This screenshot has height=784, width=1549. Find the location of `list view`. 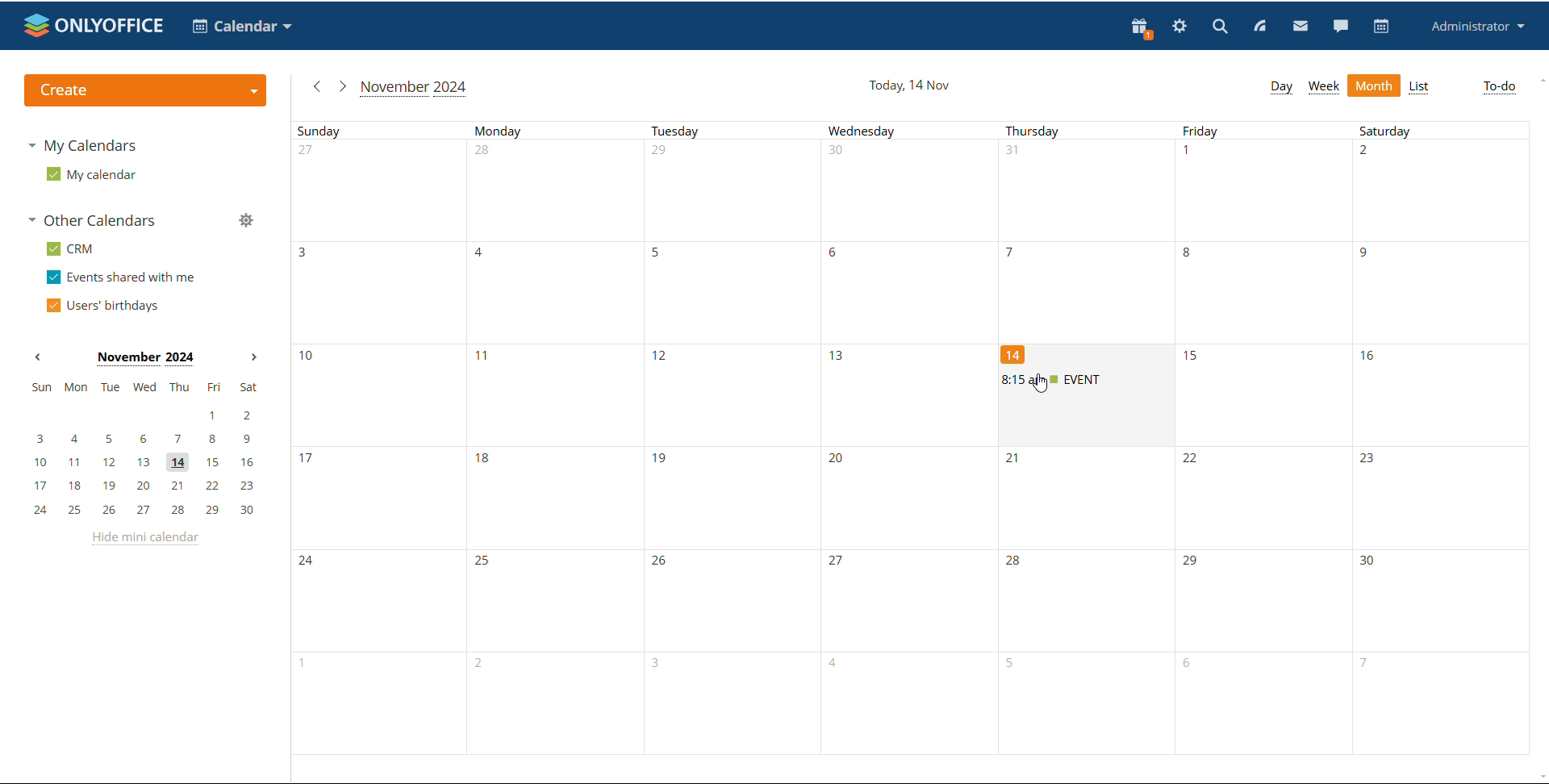

list view is located at coordinates (1421, 87).